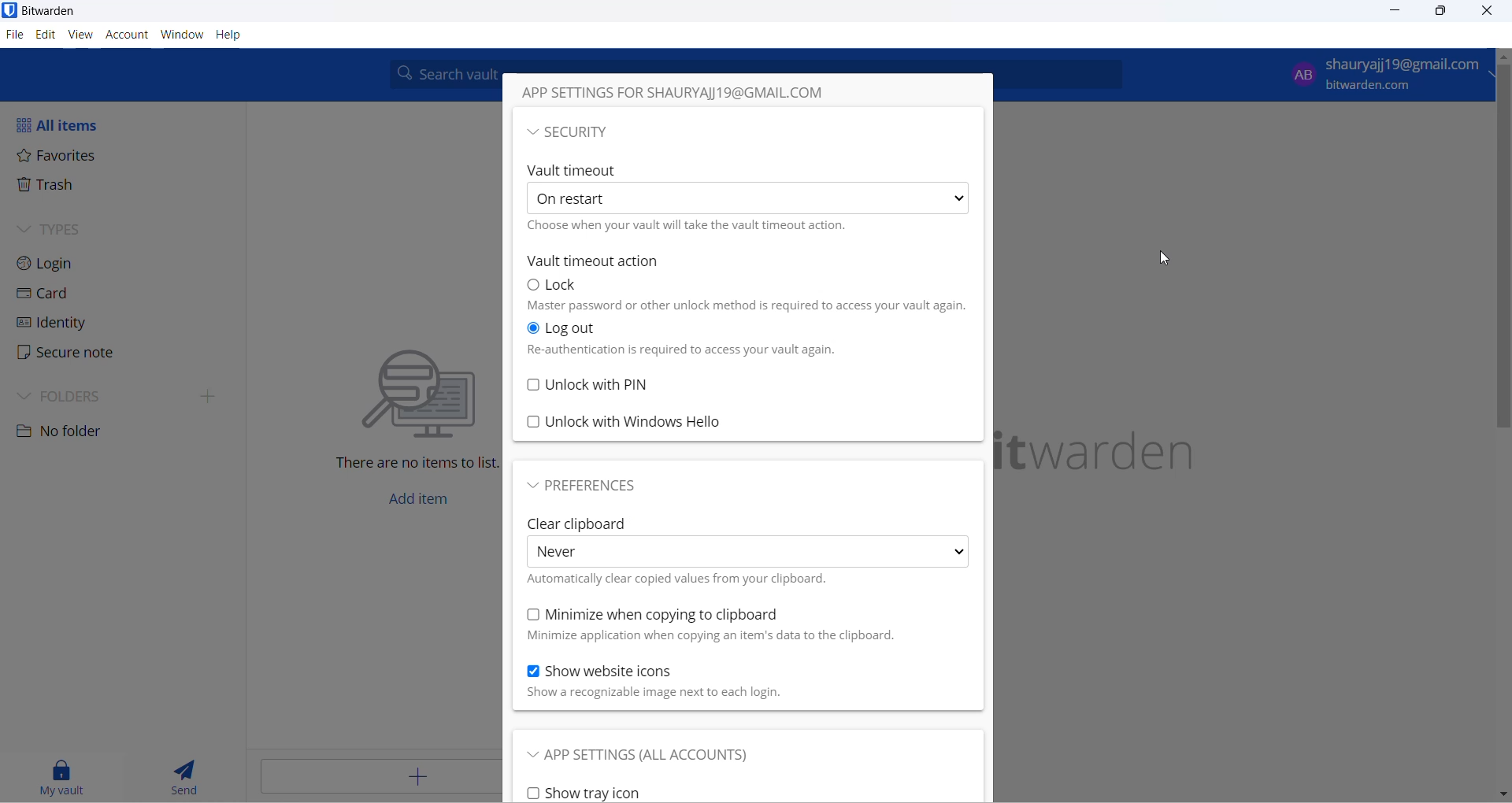 The height and width of the screenshot is (803, 1512). I want to click on APP SETTINGS FOR SHAURYAJ)19@GMAIL.COM, so click(681, 93).